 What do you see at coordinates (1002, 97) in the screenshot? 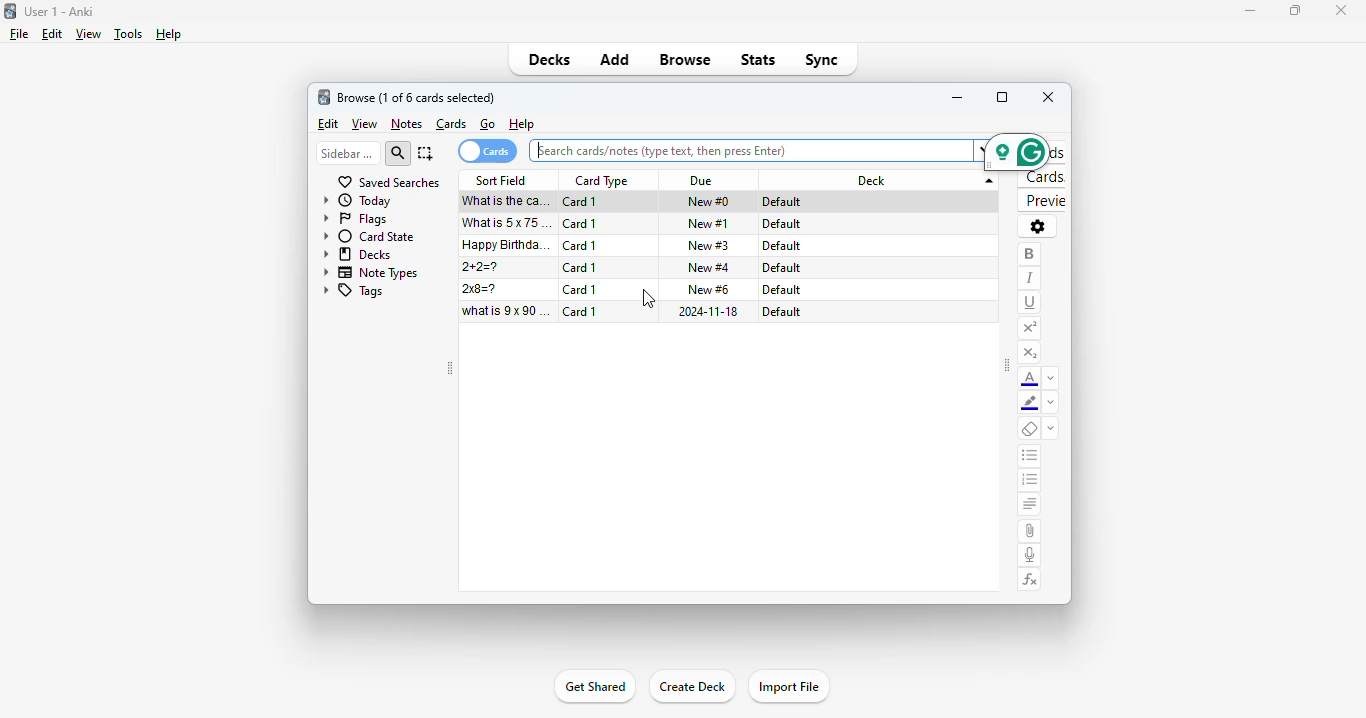
I see `maximize` at bounding box center [1002, 97].